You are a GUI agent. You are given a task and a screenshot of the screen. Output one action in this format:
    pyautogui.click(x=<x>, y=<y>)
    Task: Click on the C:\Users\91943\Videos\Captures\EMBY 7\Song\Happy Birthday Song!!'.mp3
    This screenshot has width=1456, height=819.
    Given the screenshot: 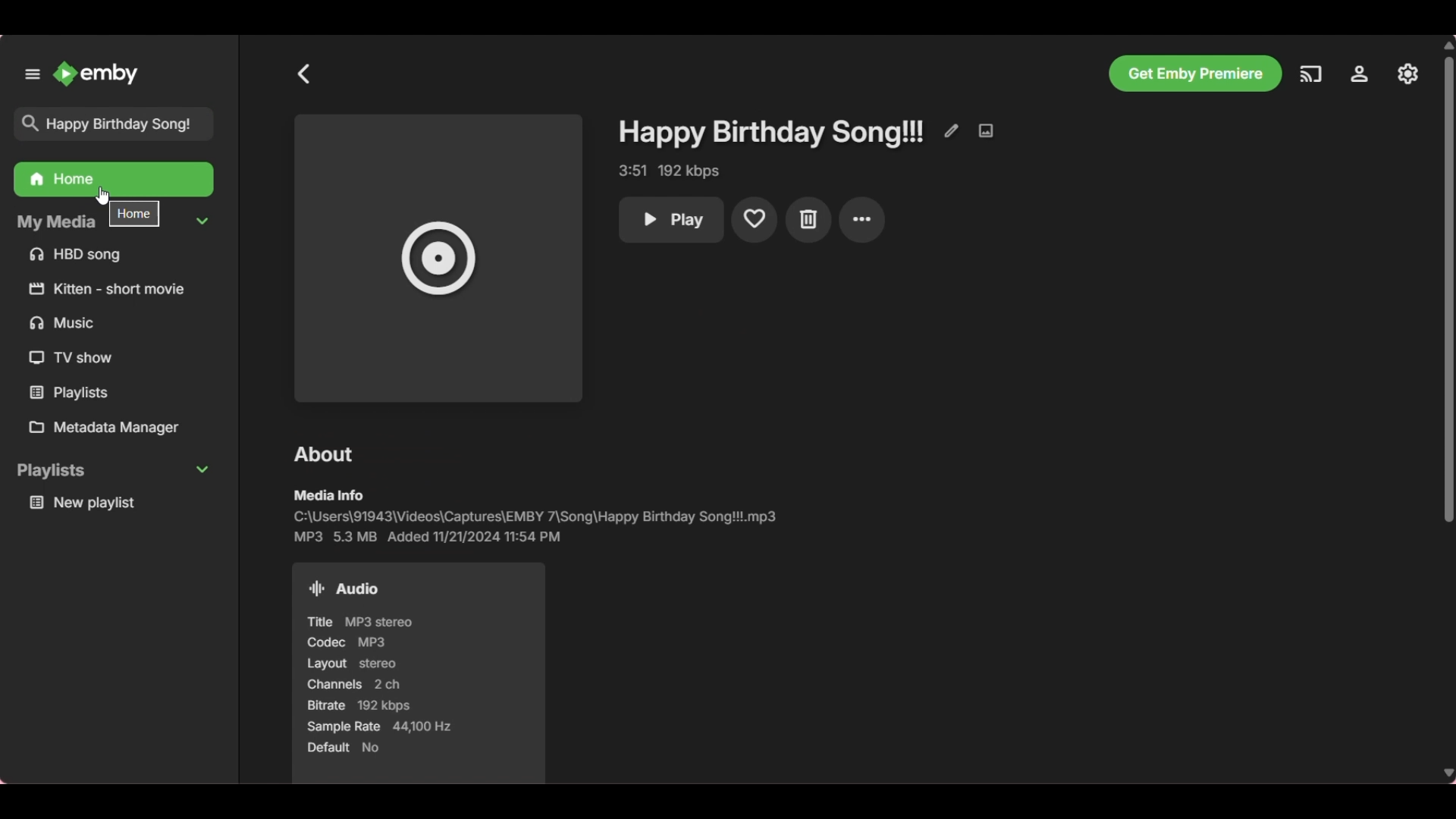 What is the action you would take?
    pyautogui.click(x=544, y=517)
    